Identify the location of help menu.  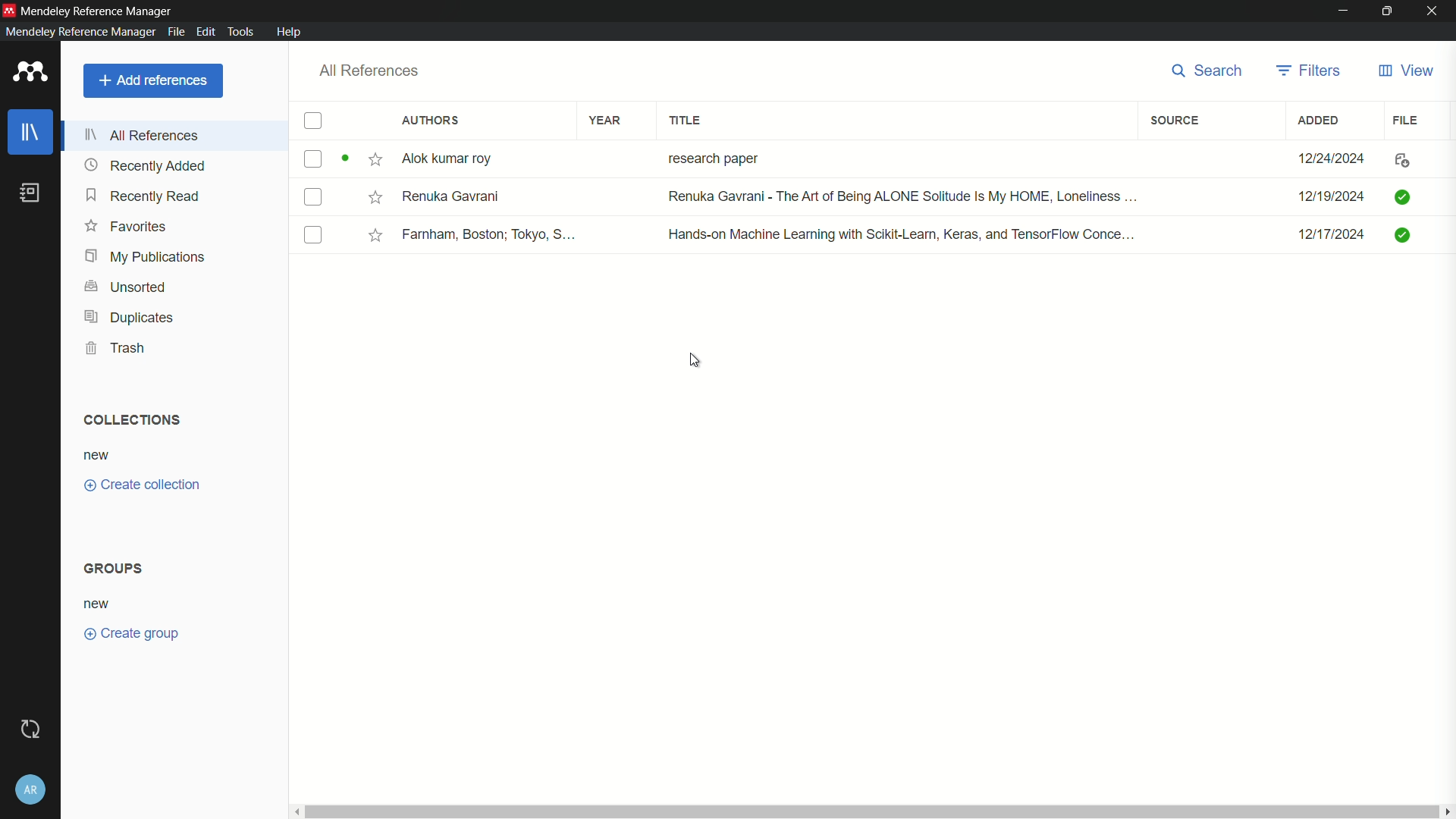
(288, 32).